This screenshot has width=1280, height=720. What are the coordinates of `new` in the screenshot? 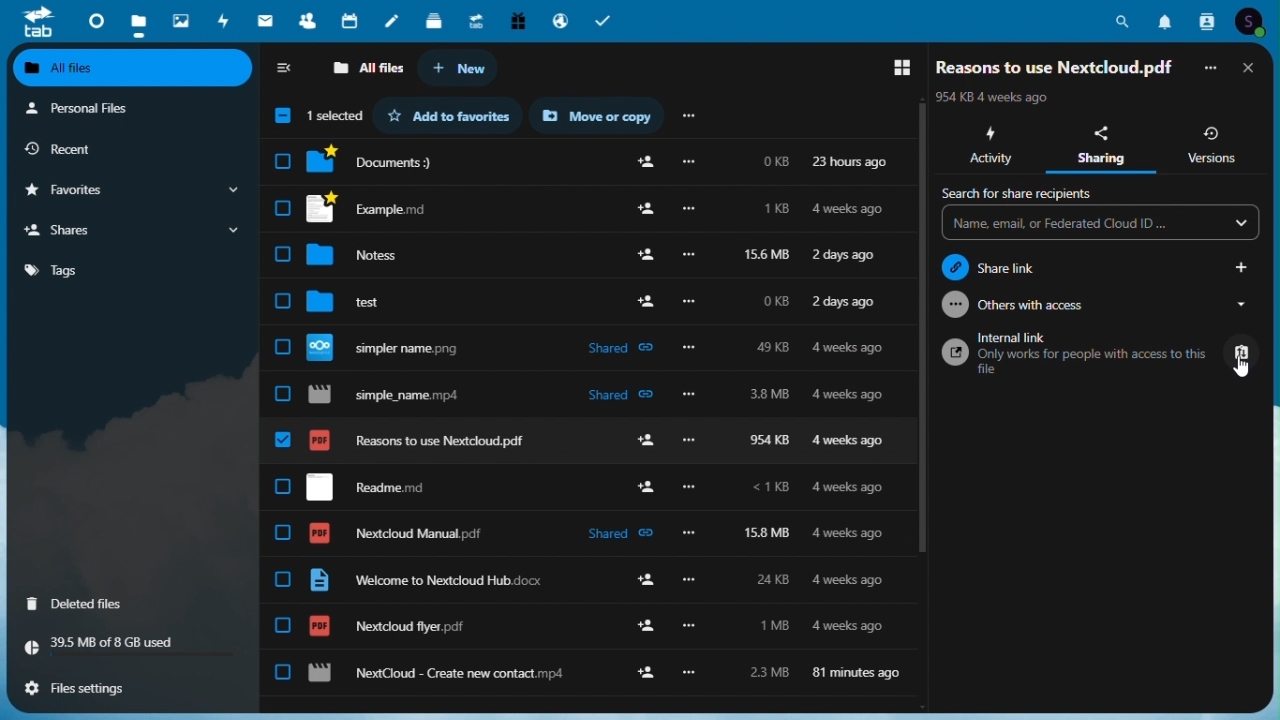 It's located at (466, 68).